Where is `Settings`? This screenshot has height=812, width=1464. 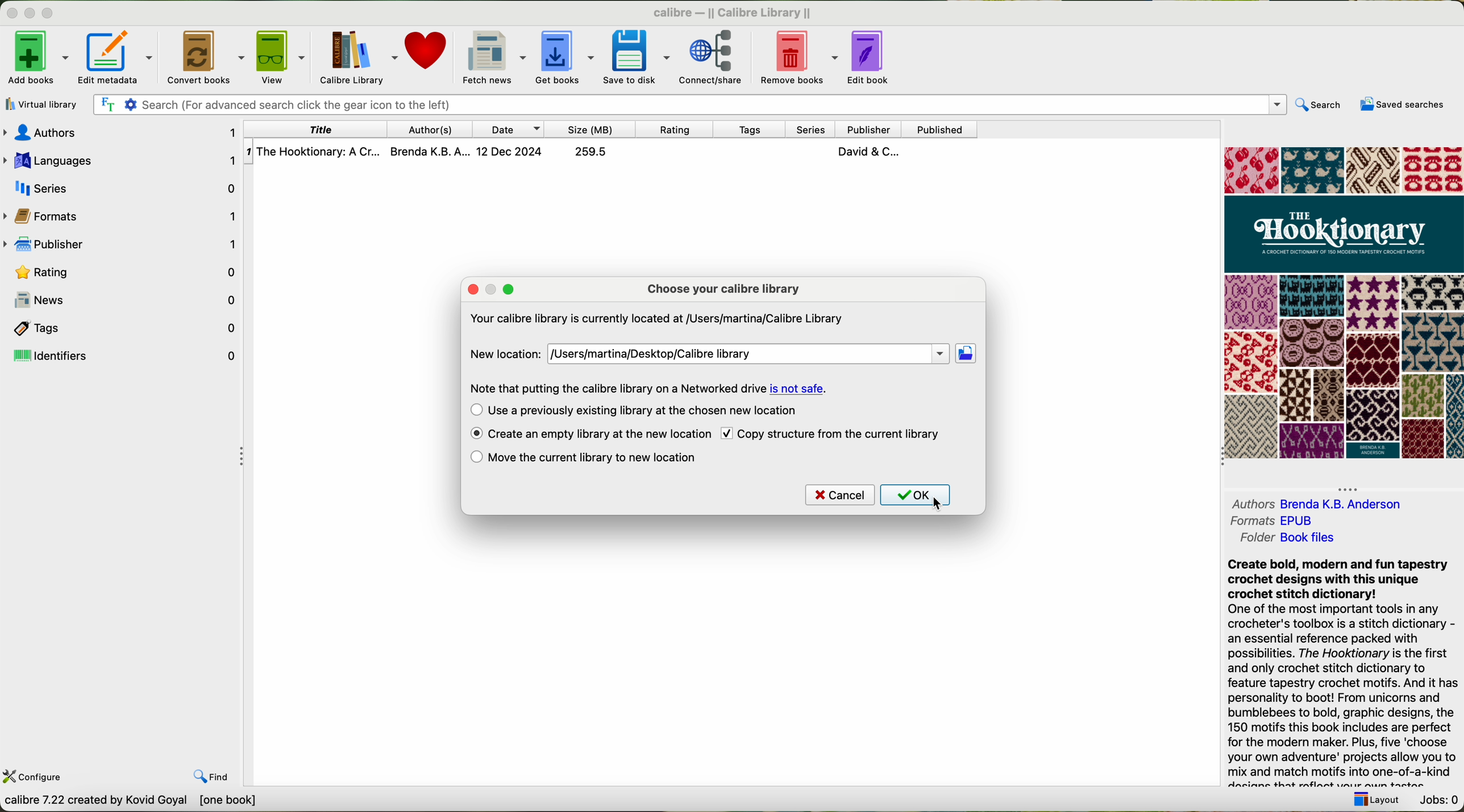 Settings is located at coordinates (132, 104).